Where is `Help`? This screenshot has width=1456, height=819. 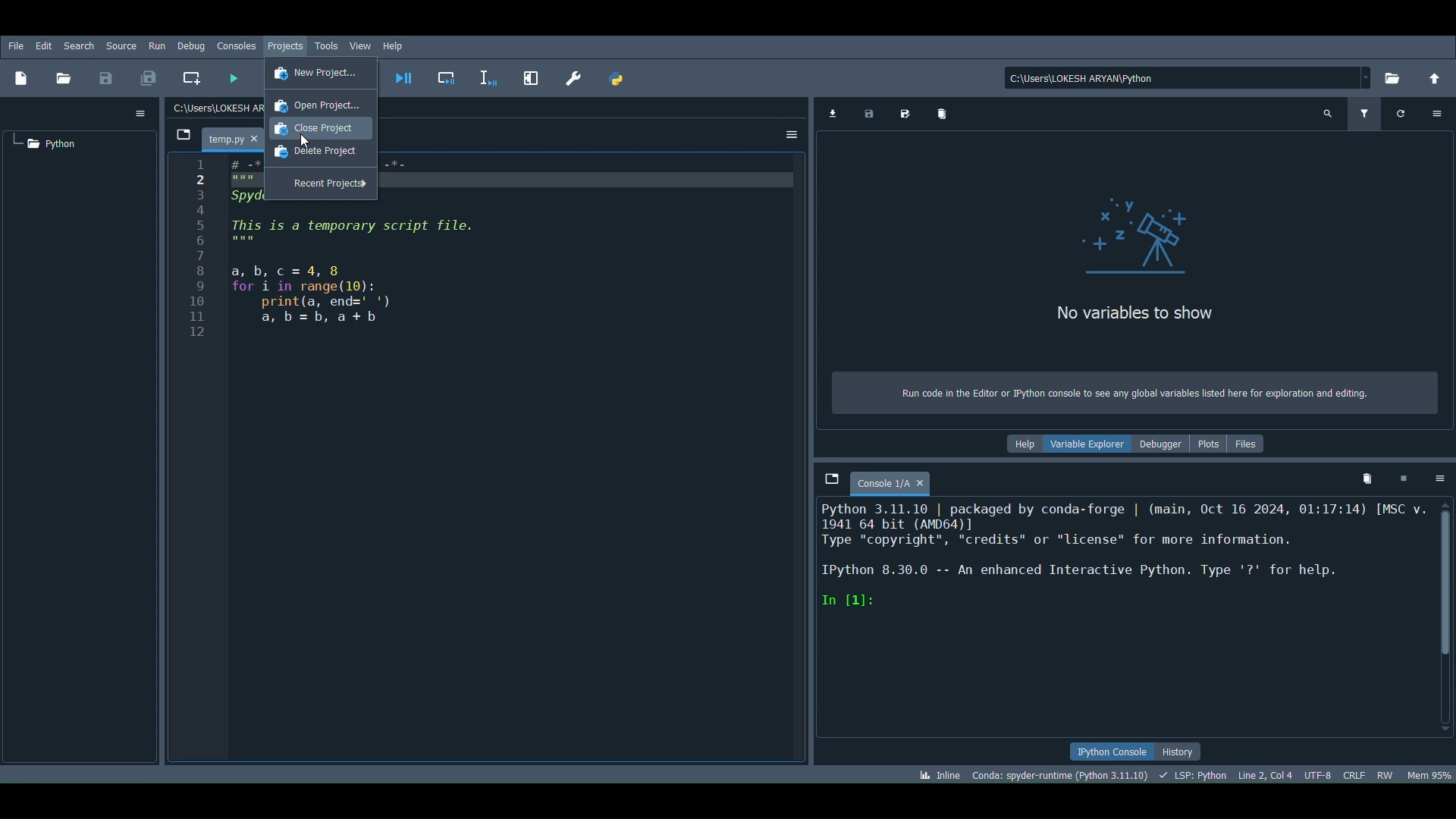
Help is located at coordinates (1018, 444).